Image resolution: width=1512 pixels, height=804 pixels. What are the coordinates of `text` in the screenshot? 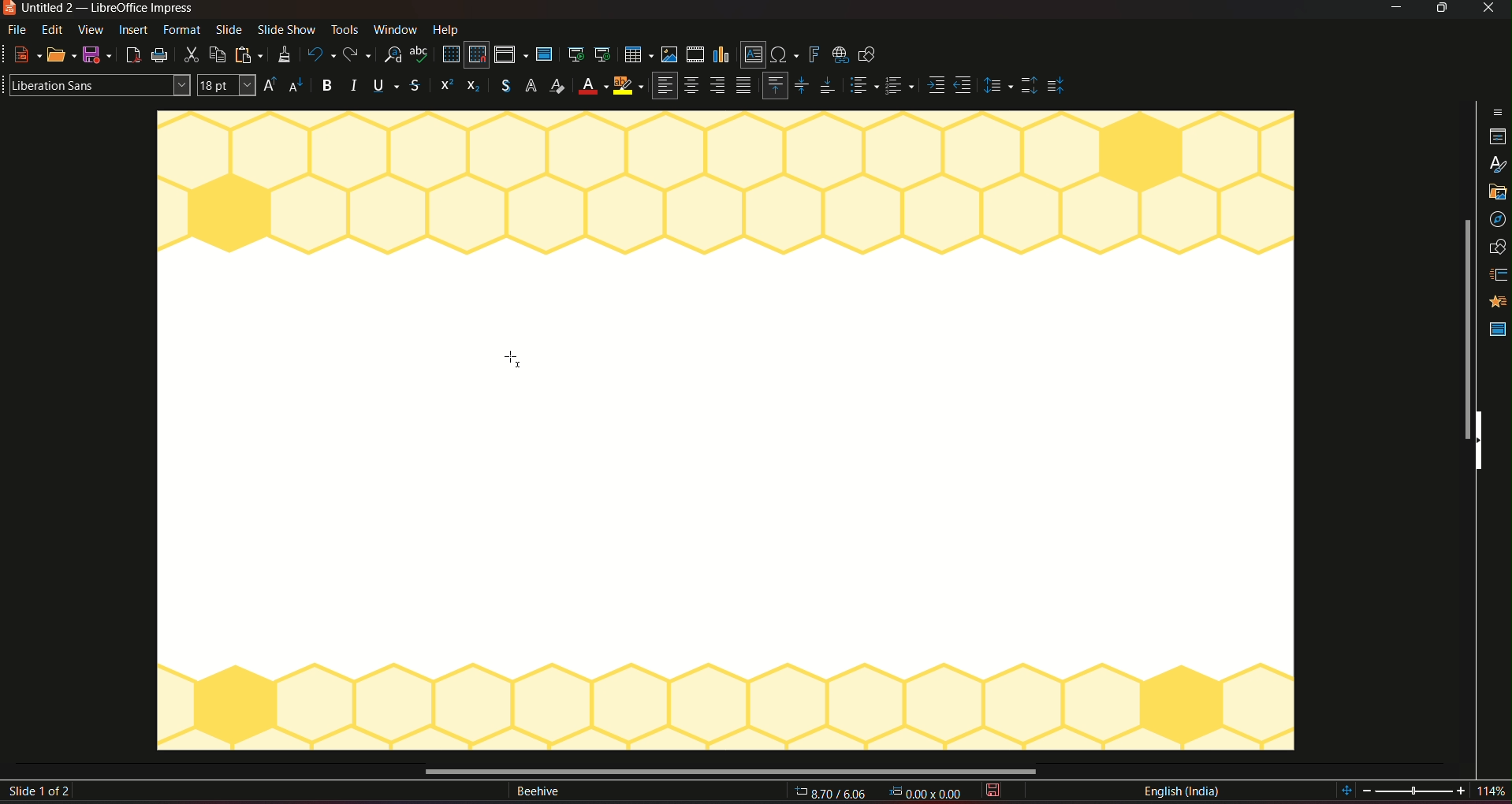 It's located at (537, 793).